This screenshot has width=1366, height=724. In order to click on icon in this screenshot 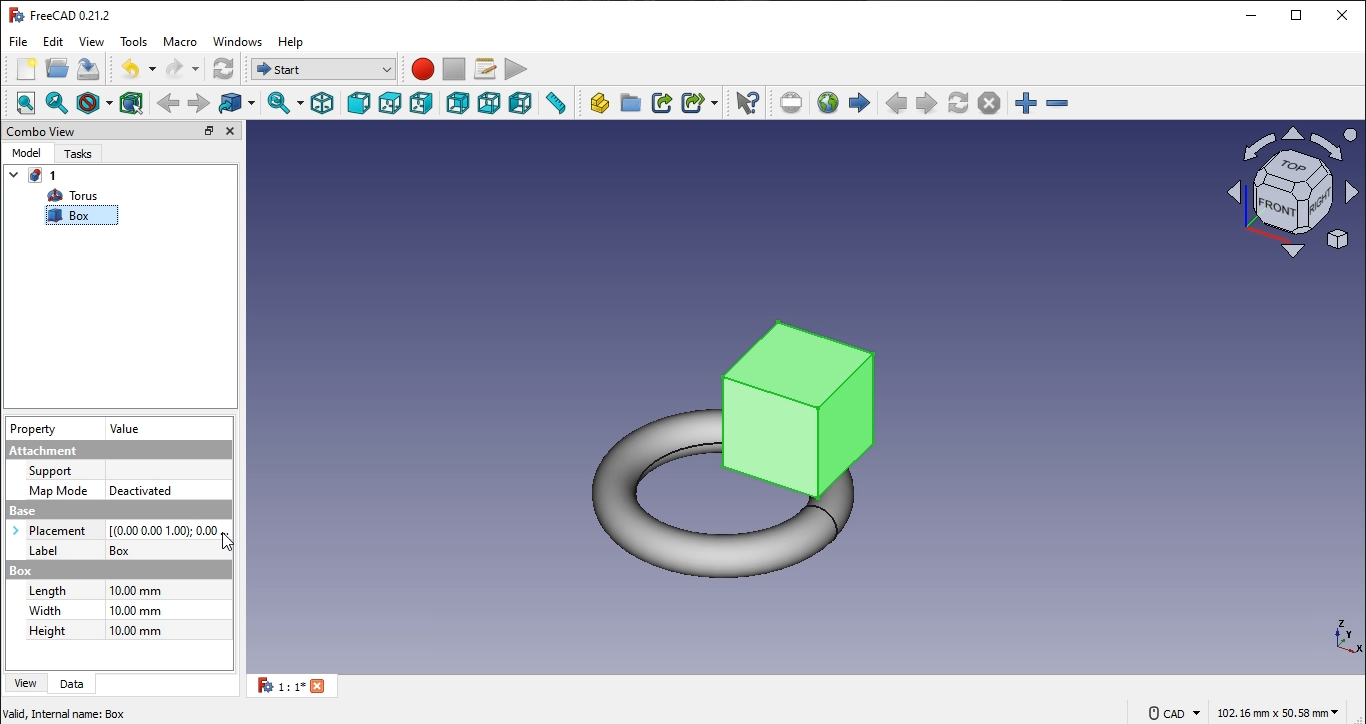, I will do `click(1290, 190)`.